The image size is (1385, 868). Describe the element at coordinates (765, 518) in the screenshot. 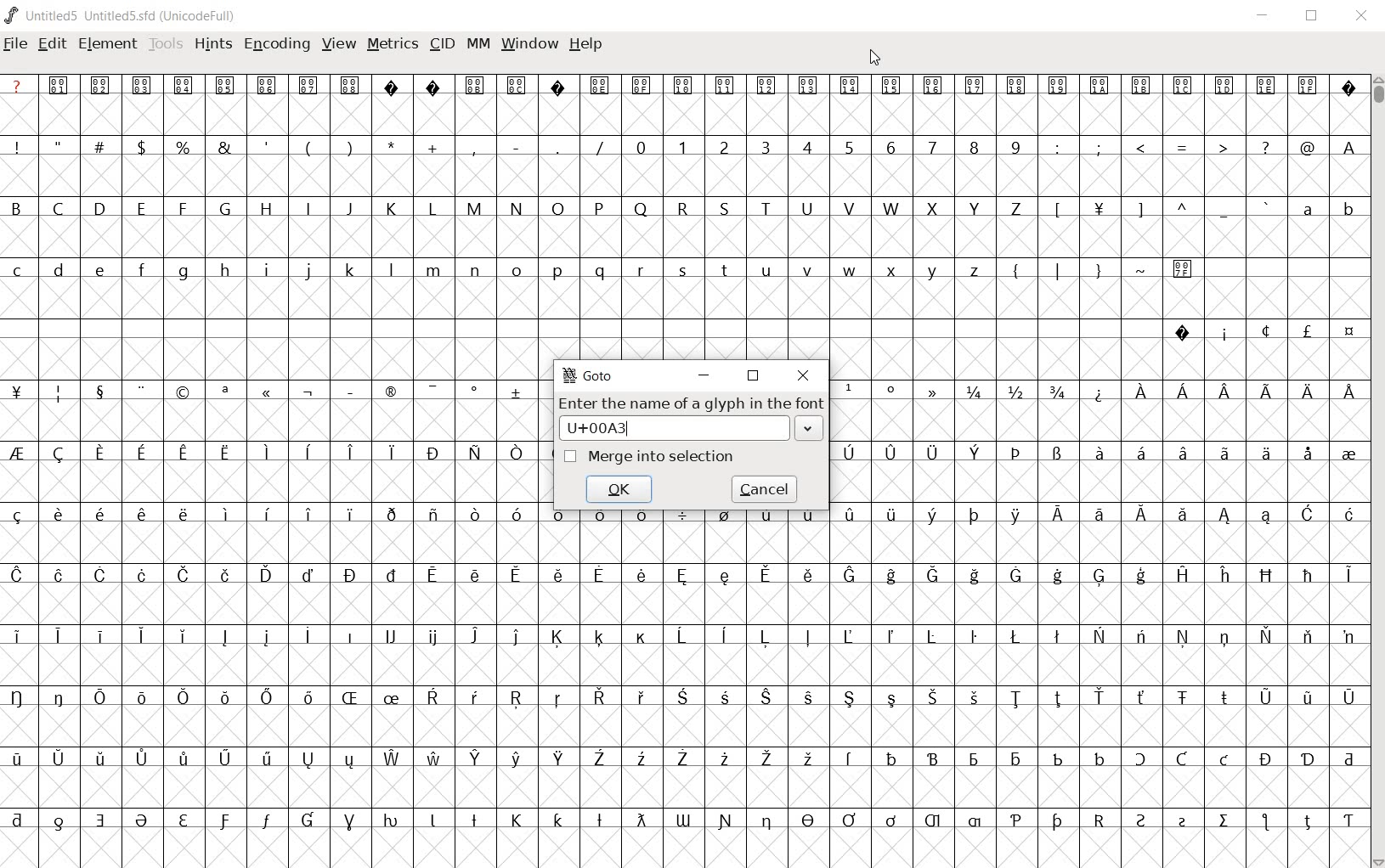

I see `Symbol` at that location.